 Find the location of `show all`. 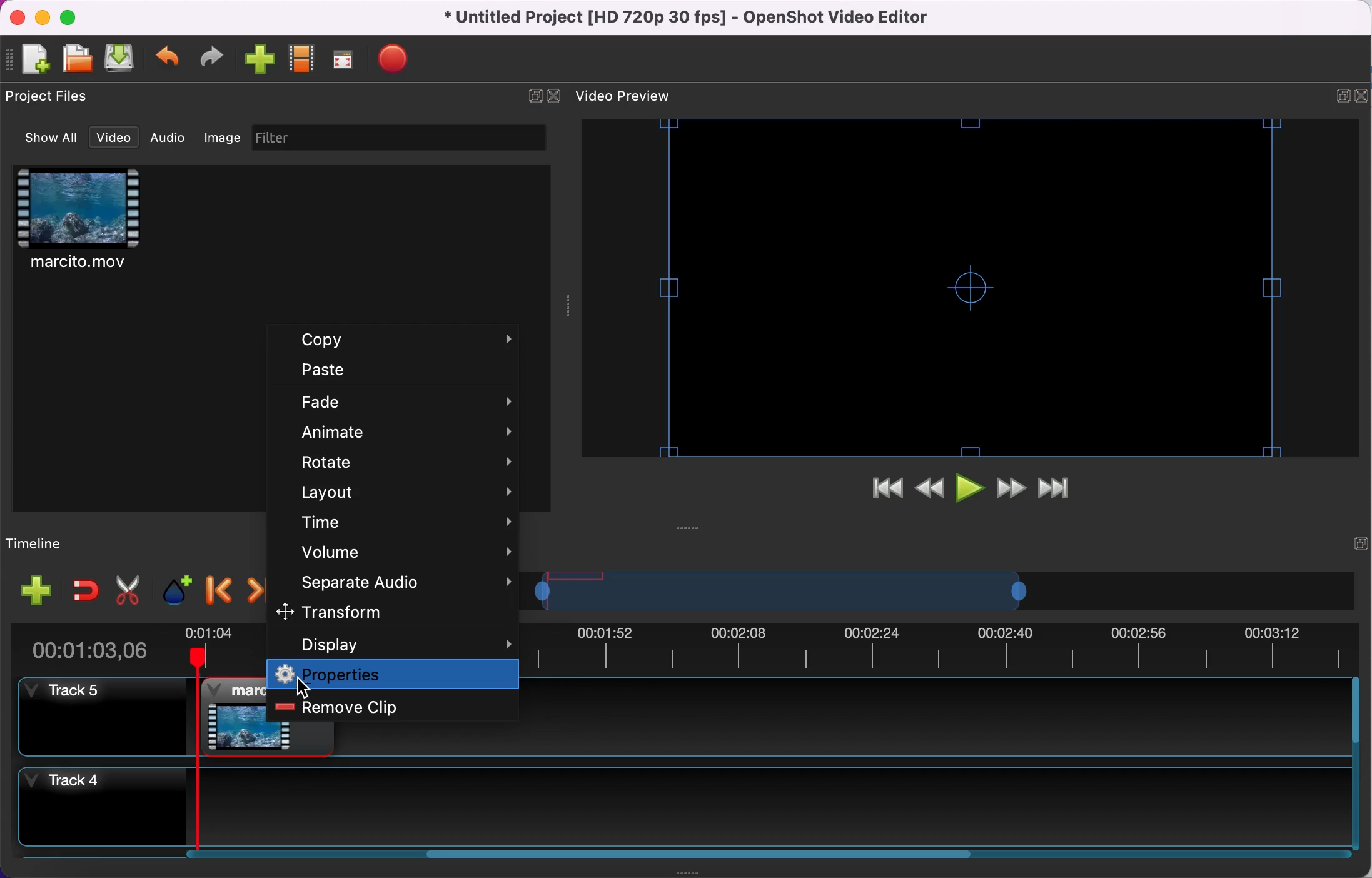

show all is located at coordinates (50, 141).